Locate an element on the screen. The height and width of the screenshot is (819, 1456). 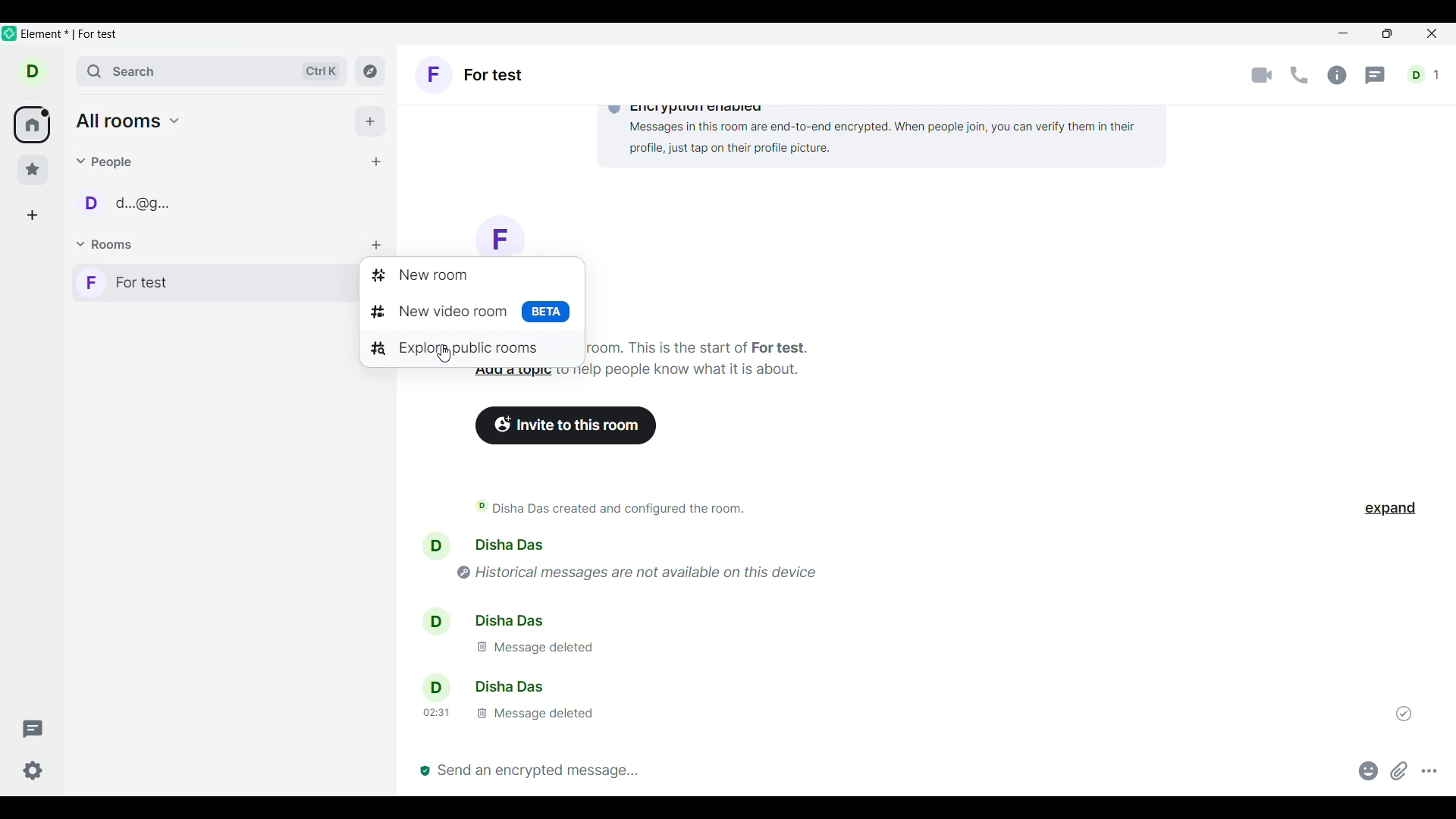
New video room BETA is located at coordinates (500, 233).